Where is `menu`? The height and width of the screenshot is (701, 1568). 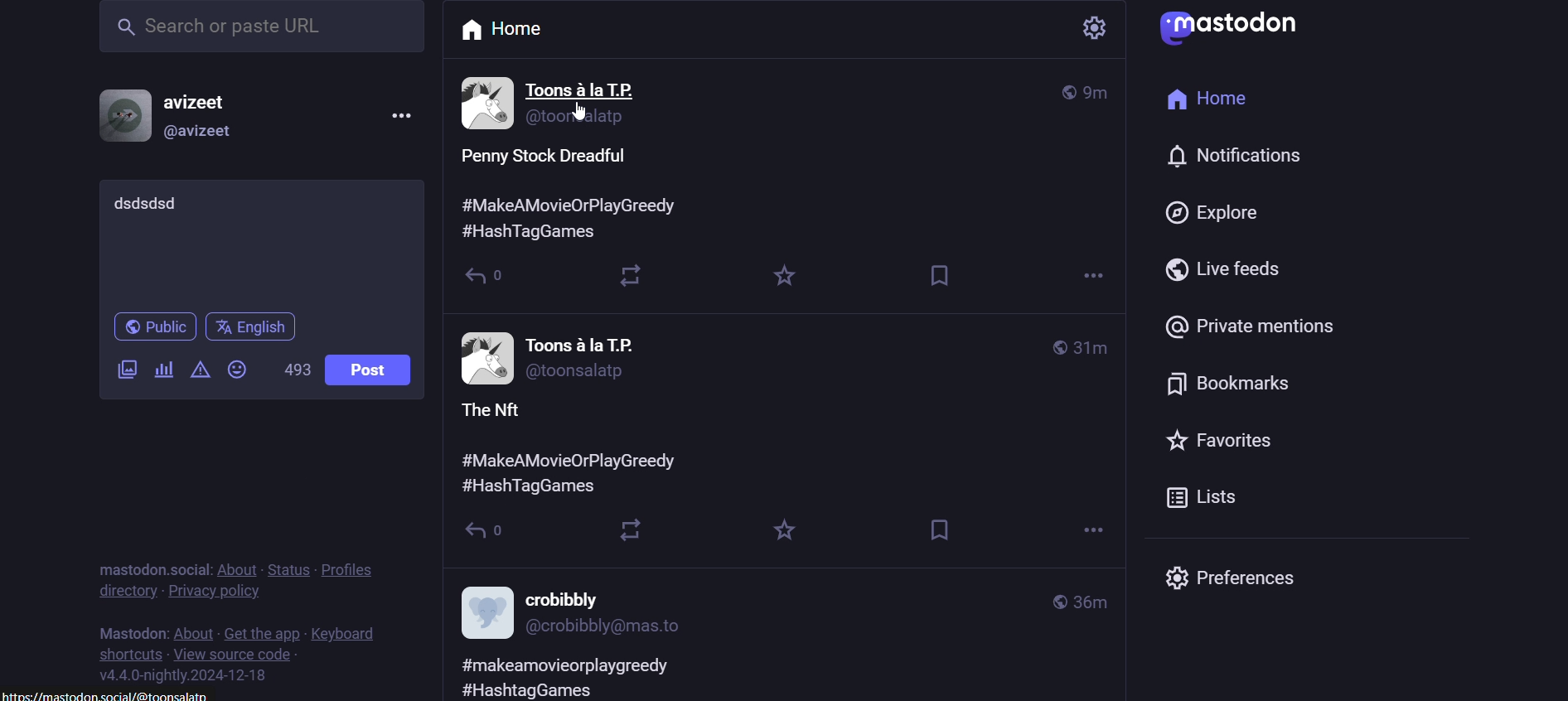 menu is located at coordinates (399, 117).